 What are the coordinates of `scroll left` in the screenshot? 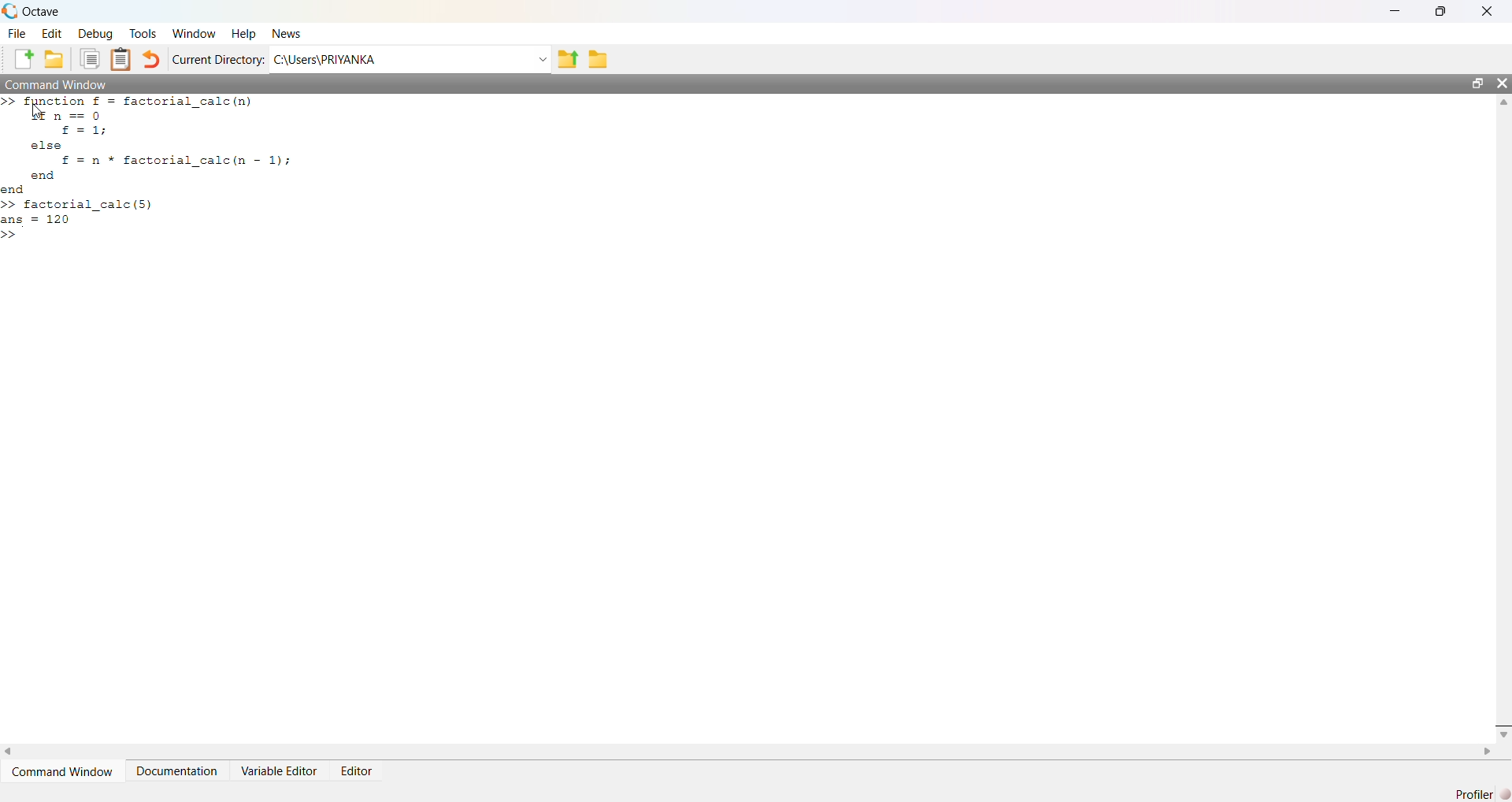 It's located at (9, 751).